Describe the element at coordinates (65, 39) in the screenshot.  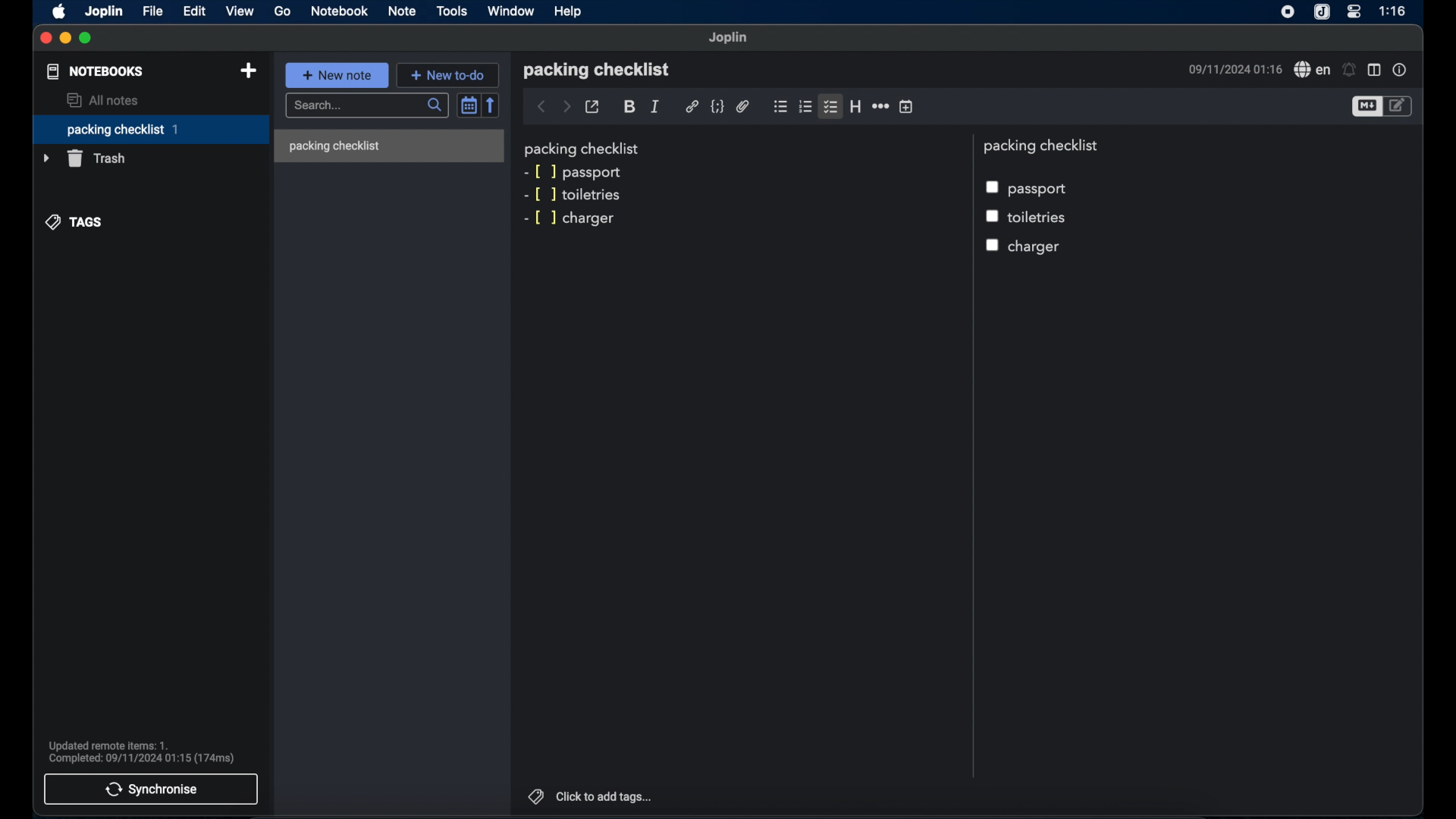
I see `minimize` at that location.